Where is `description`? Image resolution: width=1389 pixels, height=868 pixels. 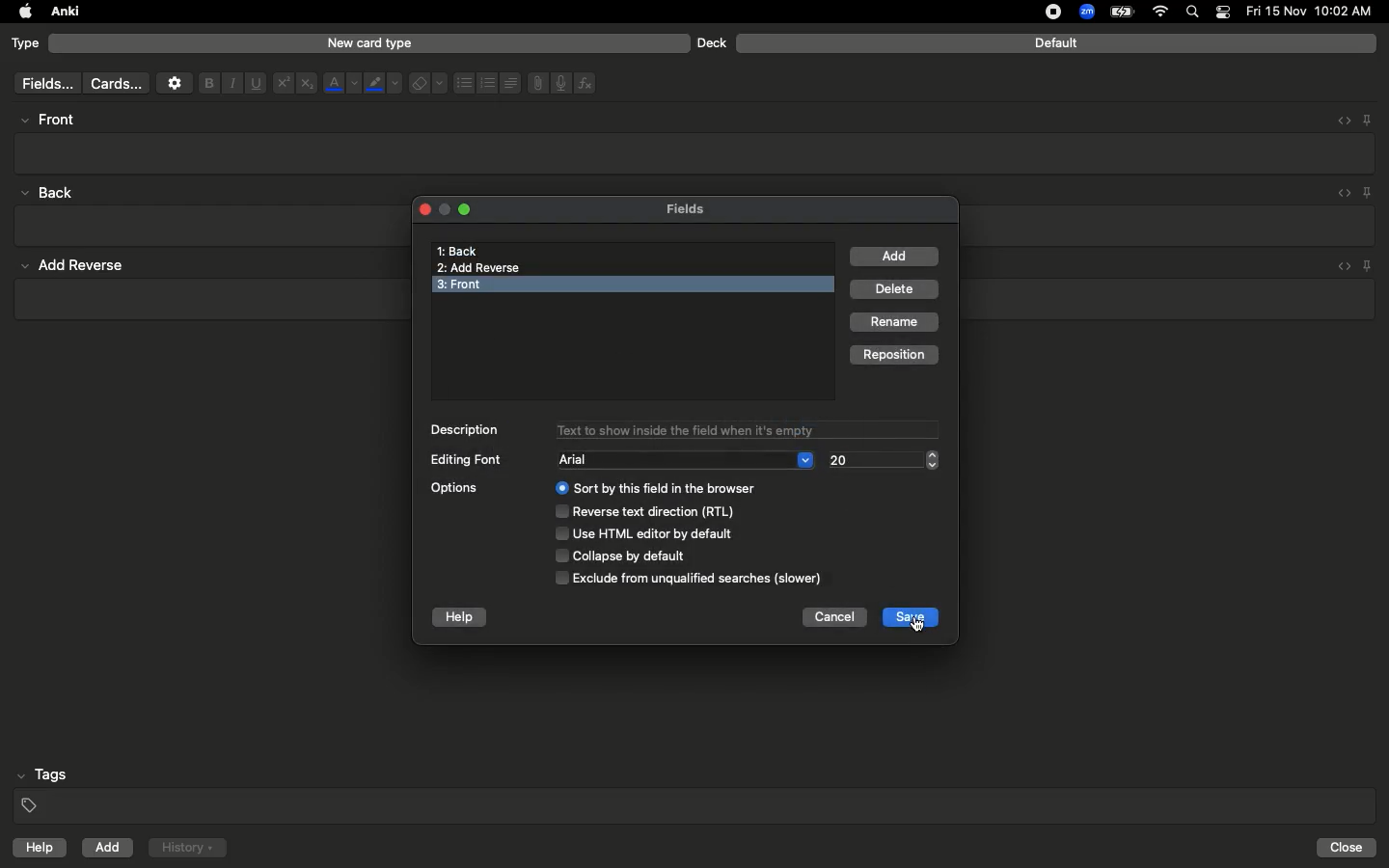 description is located at coordinates (466, 429).